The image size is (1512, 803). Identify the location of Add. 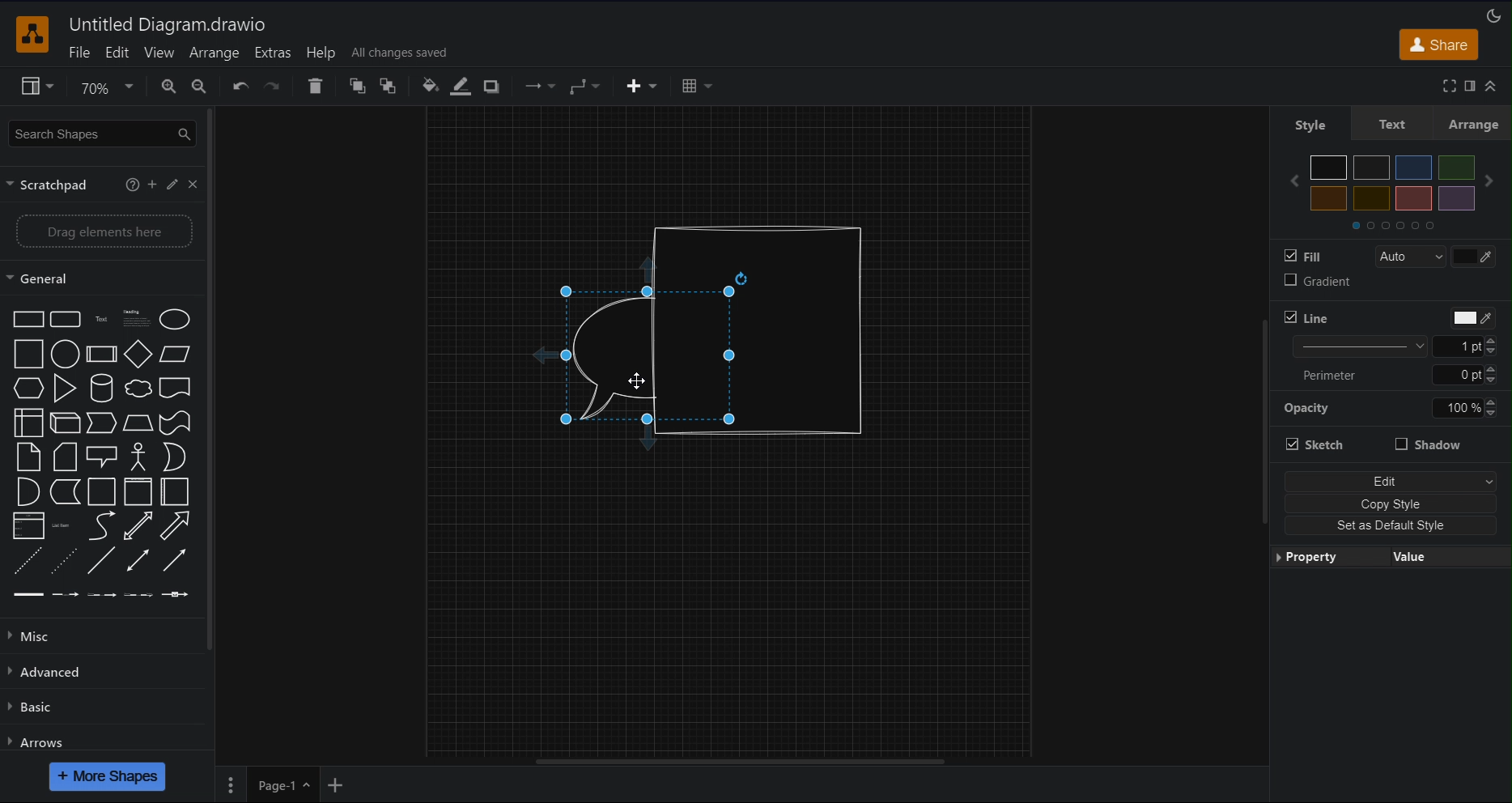
(151, 185).